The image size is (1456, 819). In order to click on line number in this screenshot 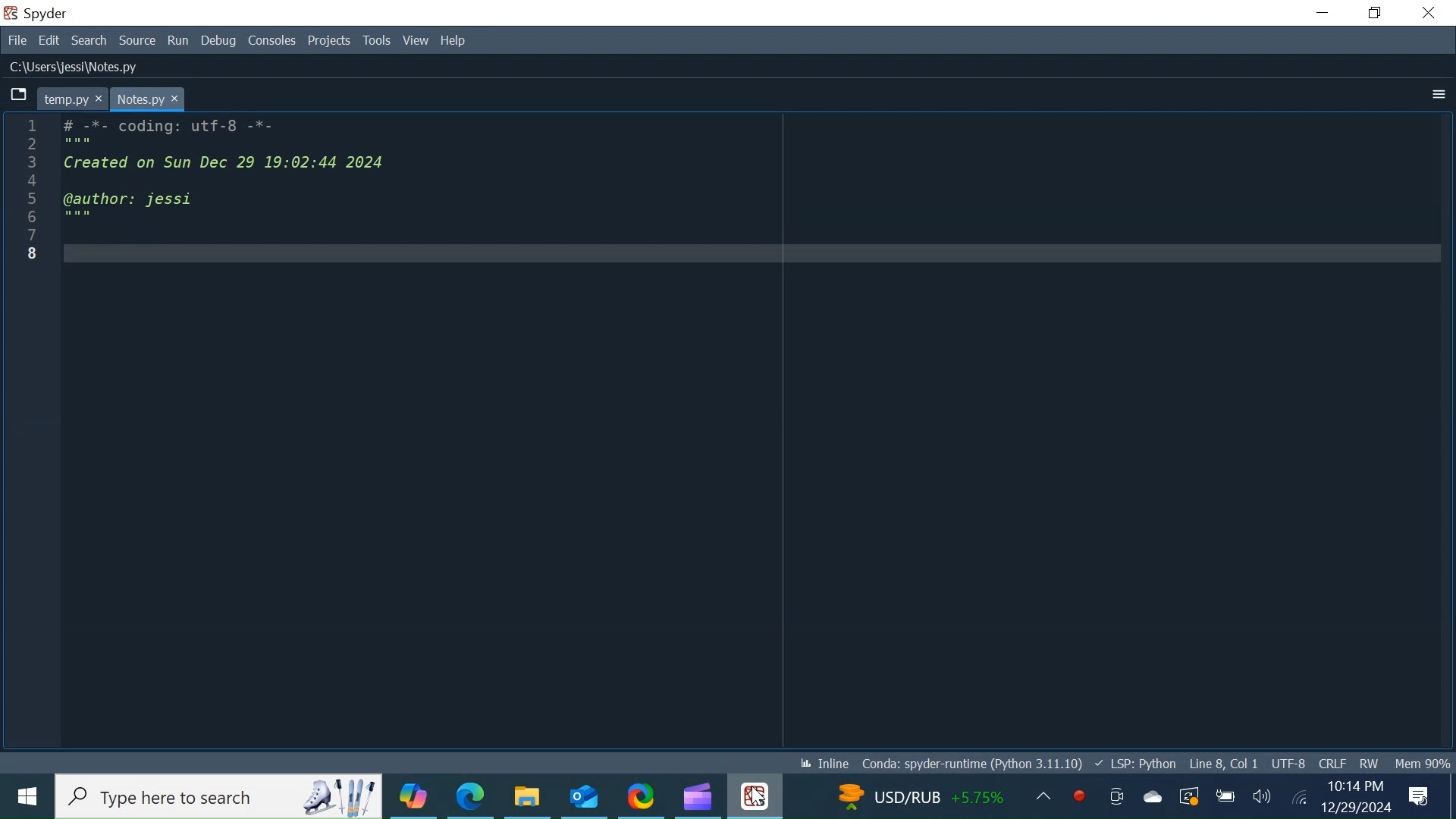, I will do `click(30, 190)`.